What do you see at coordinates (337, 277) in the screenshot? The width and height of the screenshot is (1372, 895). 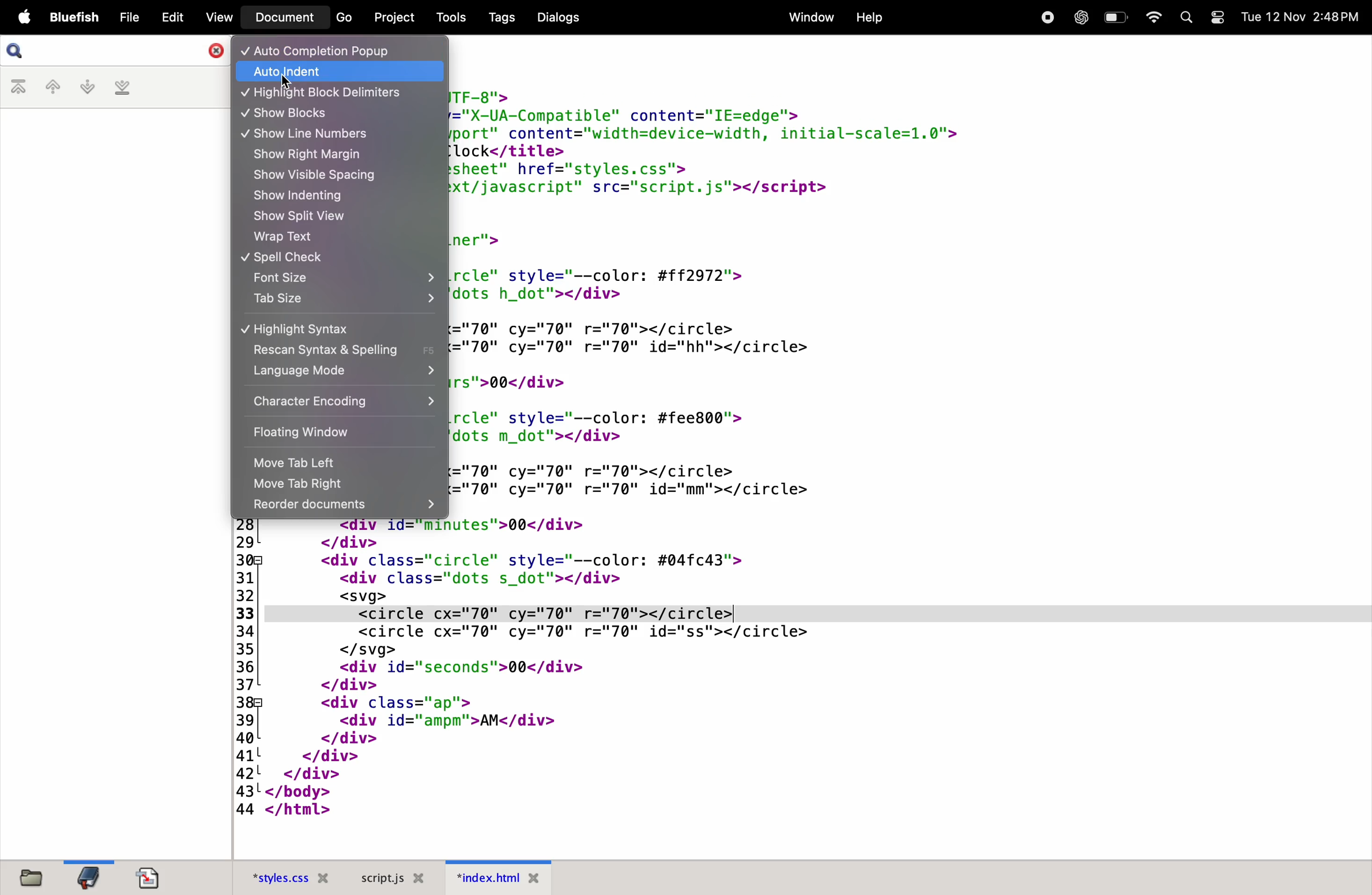 I see `font size` at bounding box center [337, 277].